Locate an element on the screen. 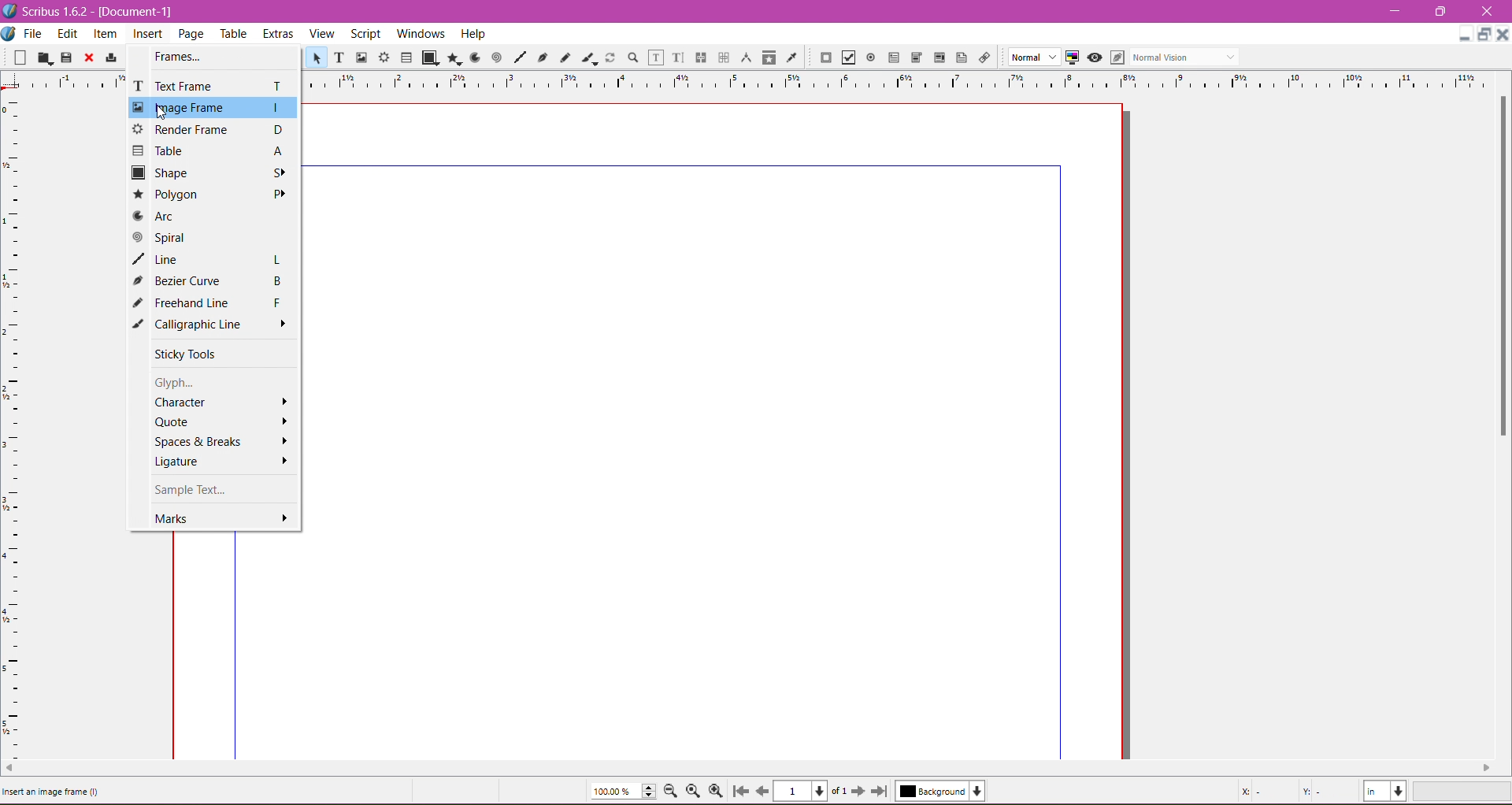 The height and width of the screenshot is (805, 1512). Go to next page is located at coordinates (861, 792).